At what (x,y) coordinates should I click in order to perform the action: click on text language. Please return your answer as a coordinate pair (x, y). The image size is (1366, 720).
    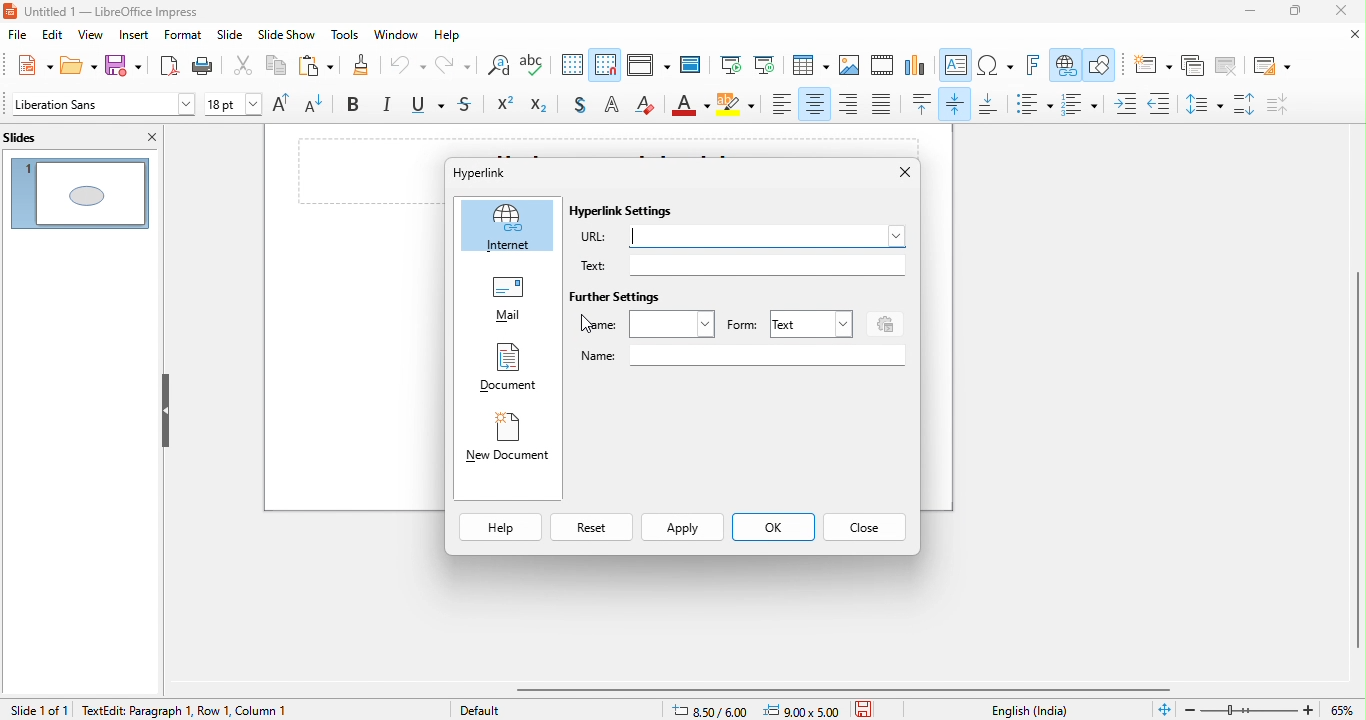
    Looking at the image, I should click on (1032, 710).